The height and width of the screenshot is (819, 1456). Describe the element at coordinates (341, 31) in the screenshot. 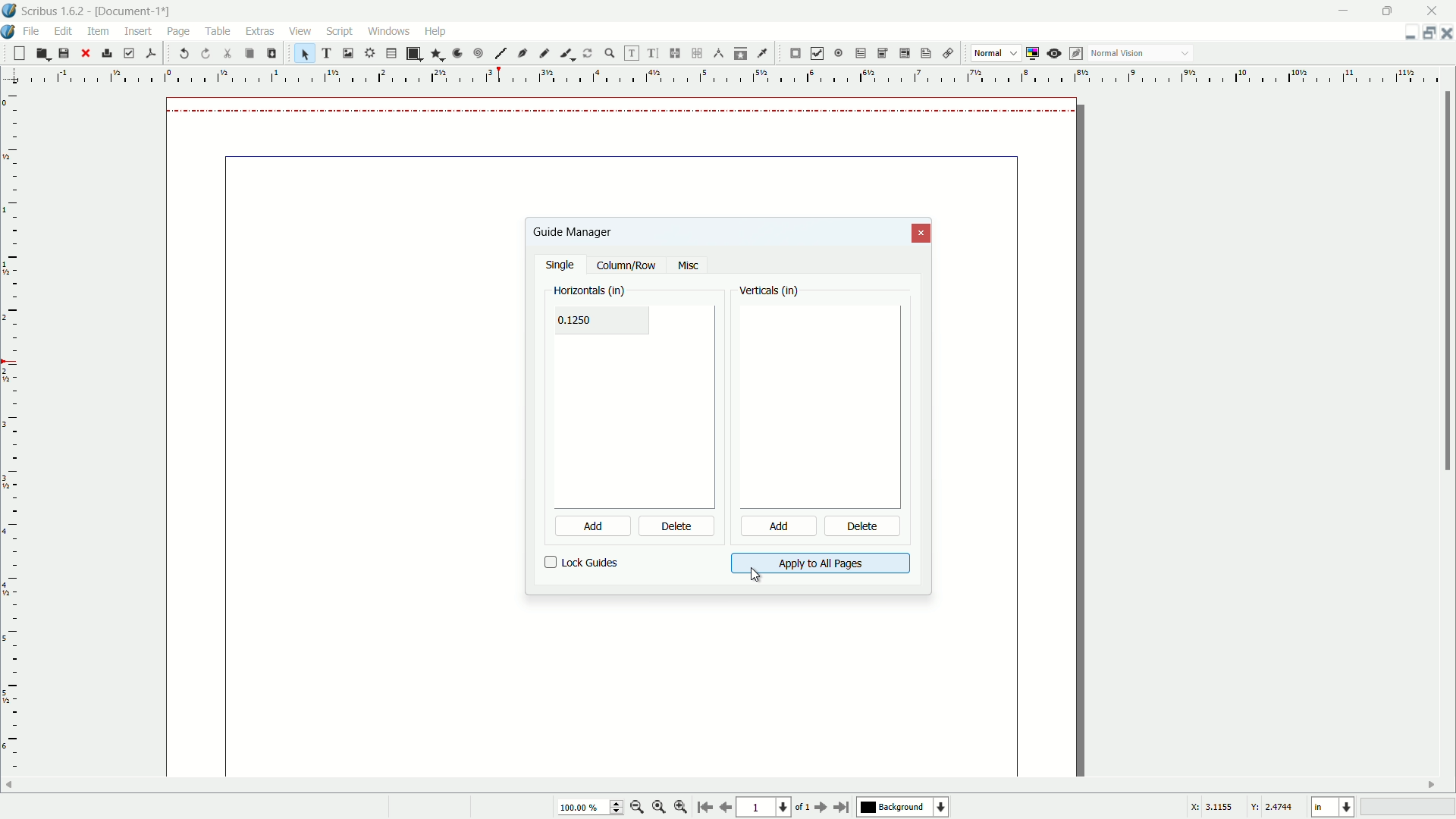

I see `script menu` at that location.